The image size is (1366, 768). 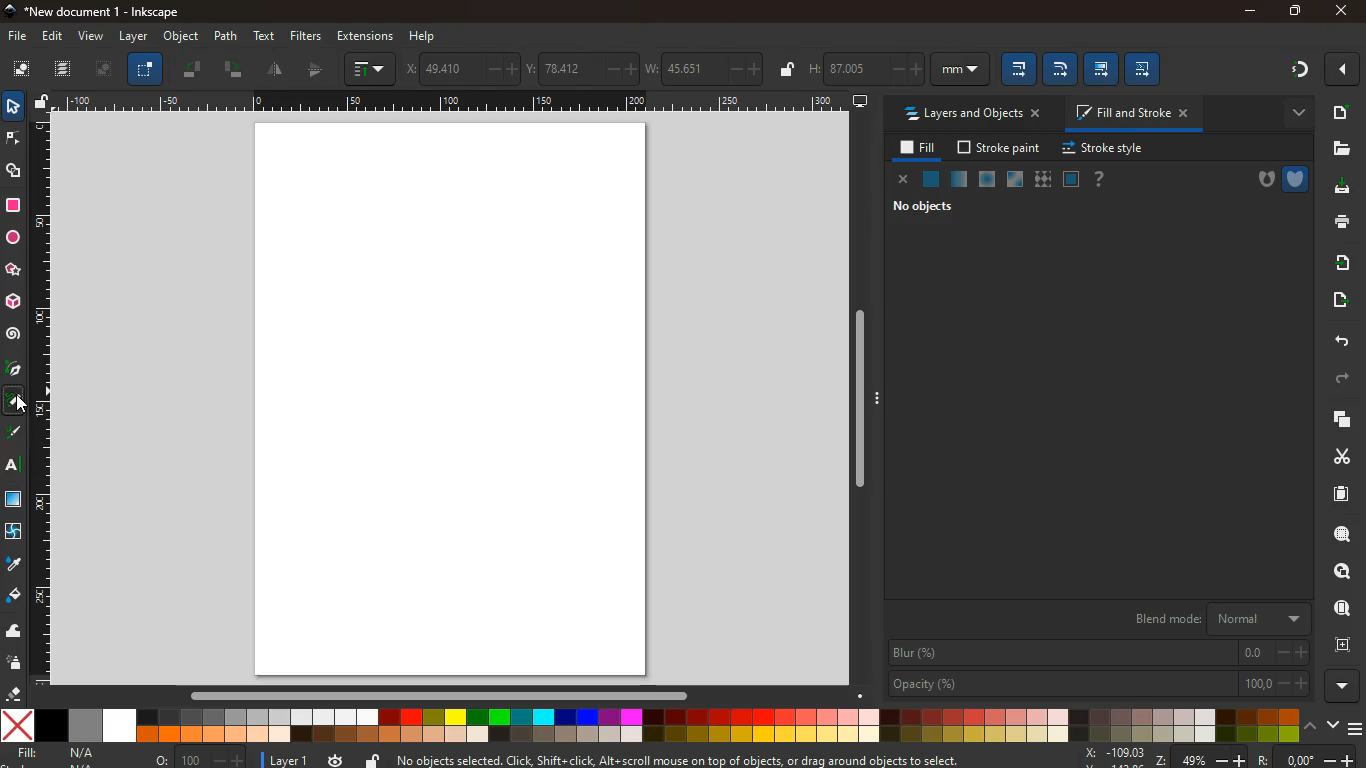 What do you see at coordinates (1335, 419) in the screenshot?
I see `layers` at bounding box center [1335, 419].